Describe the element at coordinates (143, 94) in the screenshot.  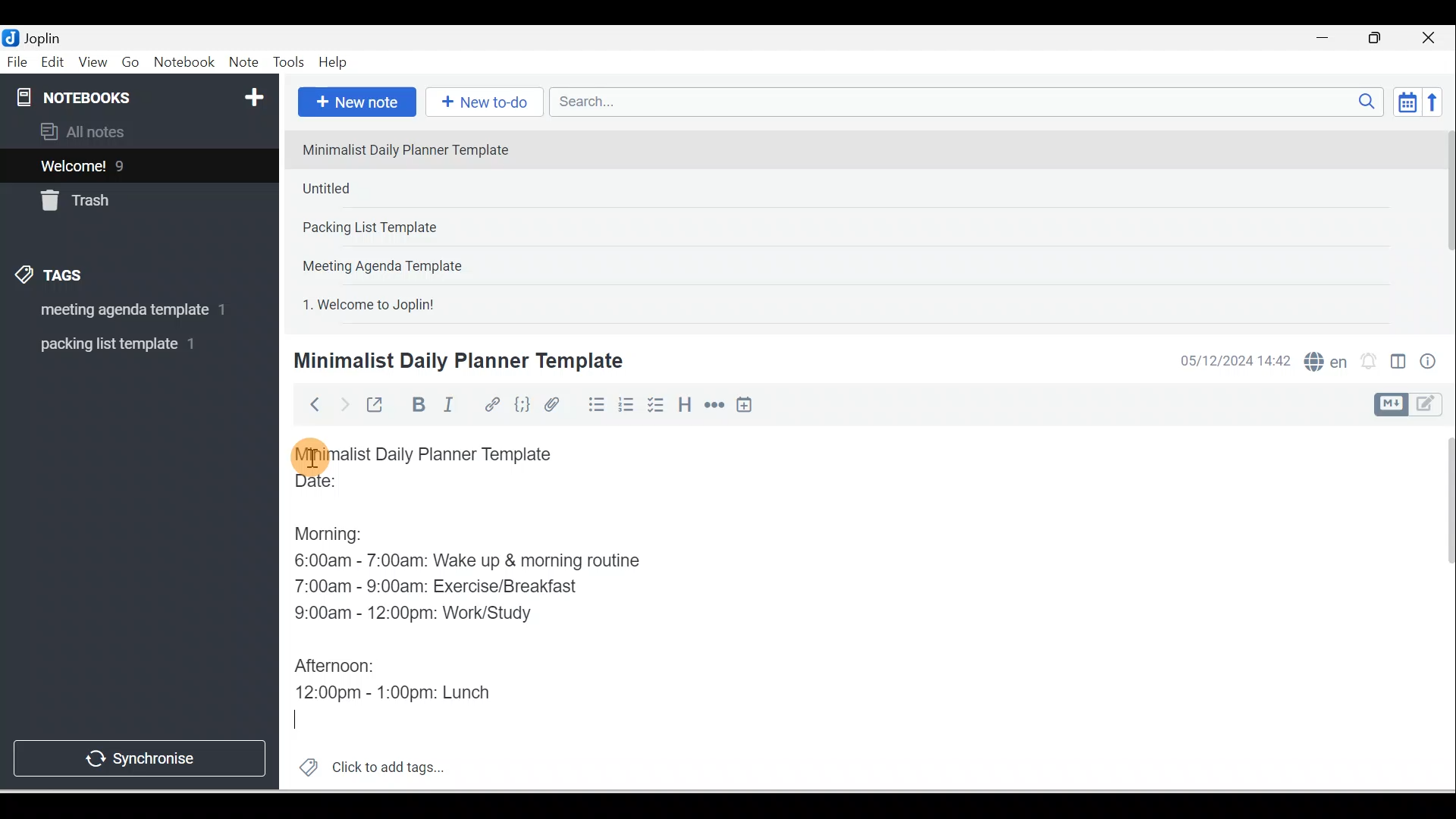
I see `Notebooks` at that location.